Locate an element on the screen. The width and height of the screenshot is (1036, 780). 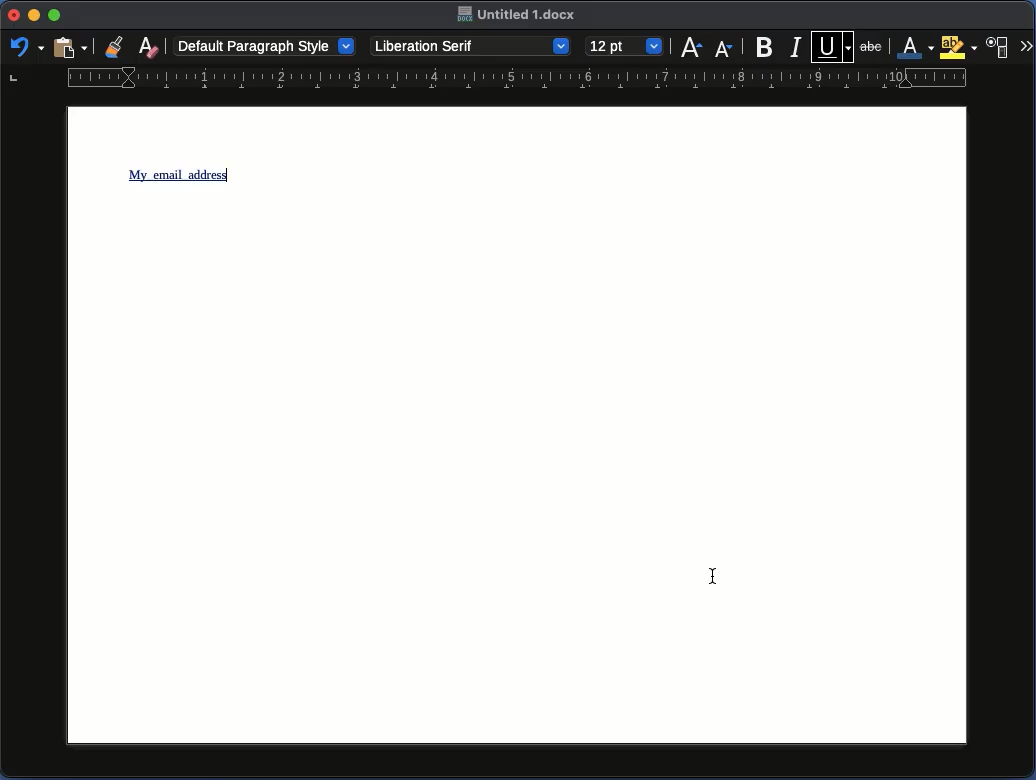
Liberation Serif is located at coordinates (472, 46).